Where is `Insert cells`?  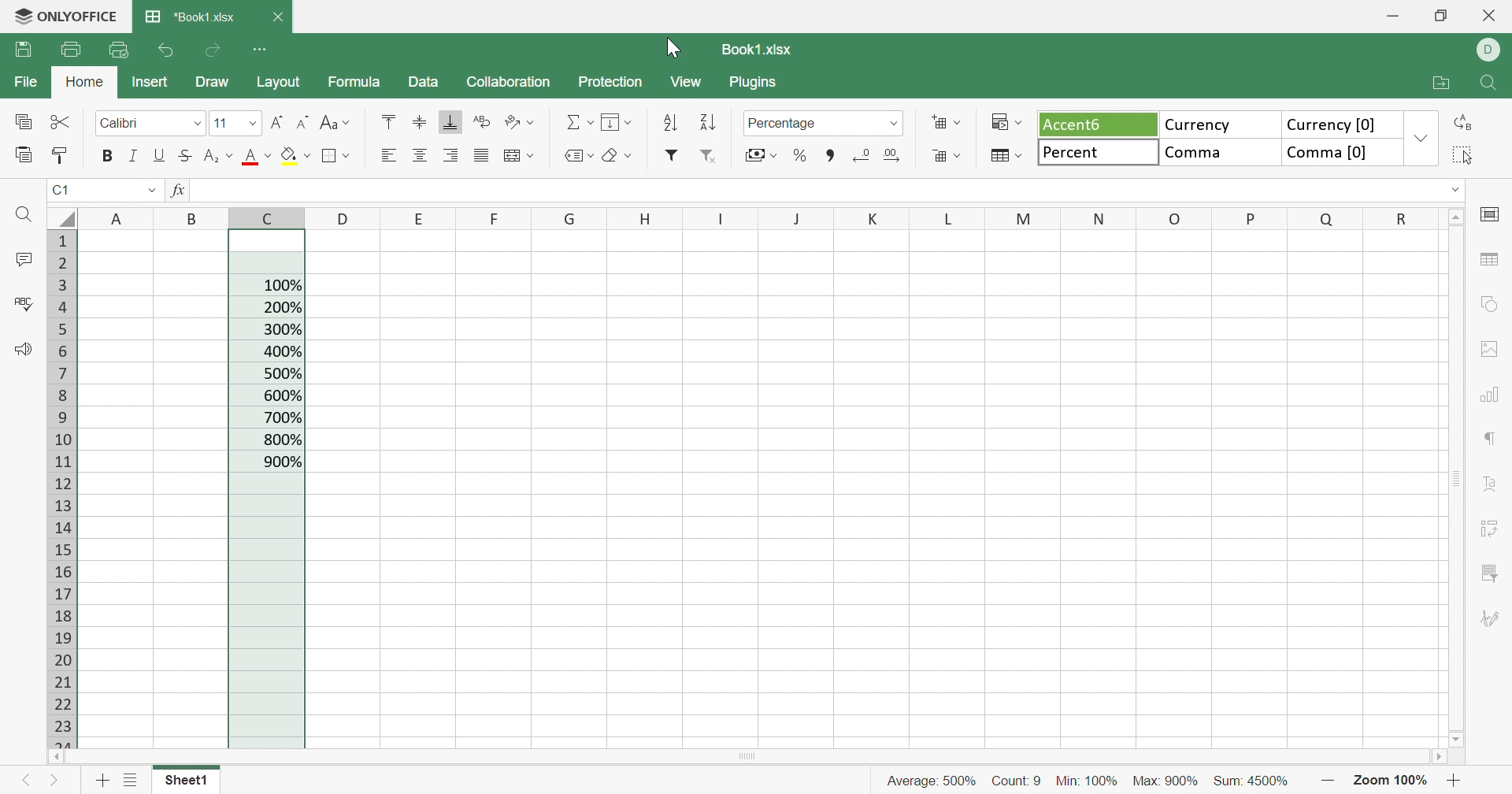 Insert cells is located at coordinates (946, 124).